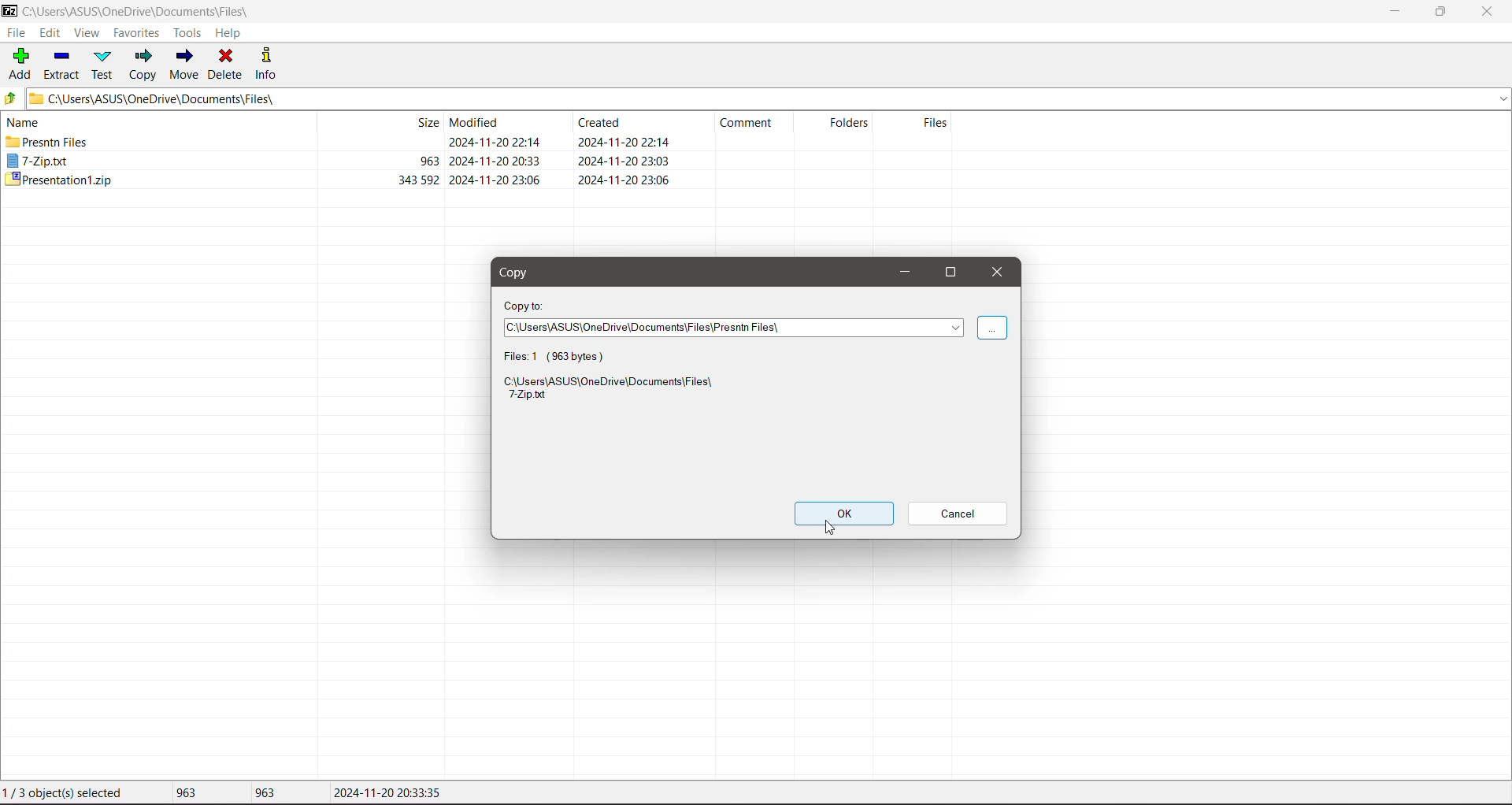 This screenshot has width=1512, height=805. What do you see at coordinates (753, 126) in the screenshot?
I see `Comment` at bounding box center [753, 126].